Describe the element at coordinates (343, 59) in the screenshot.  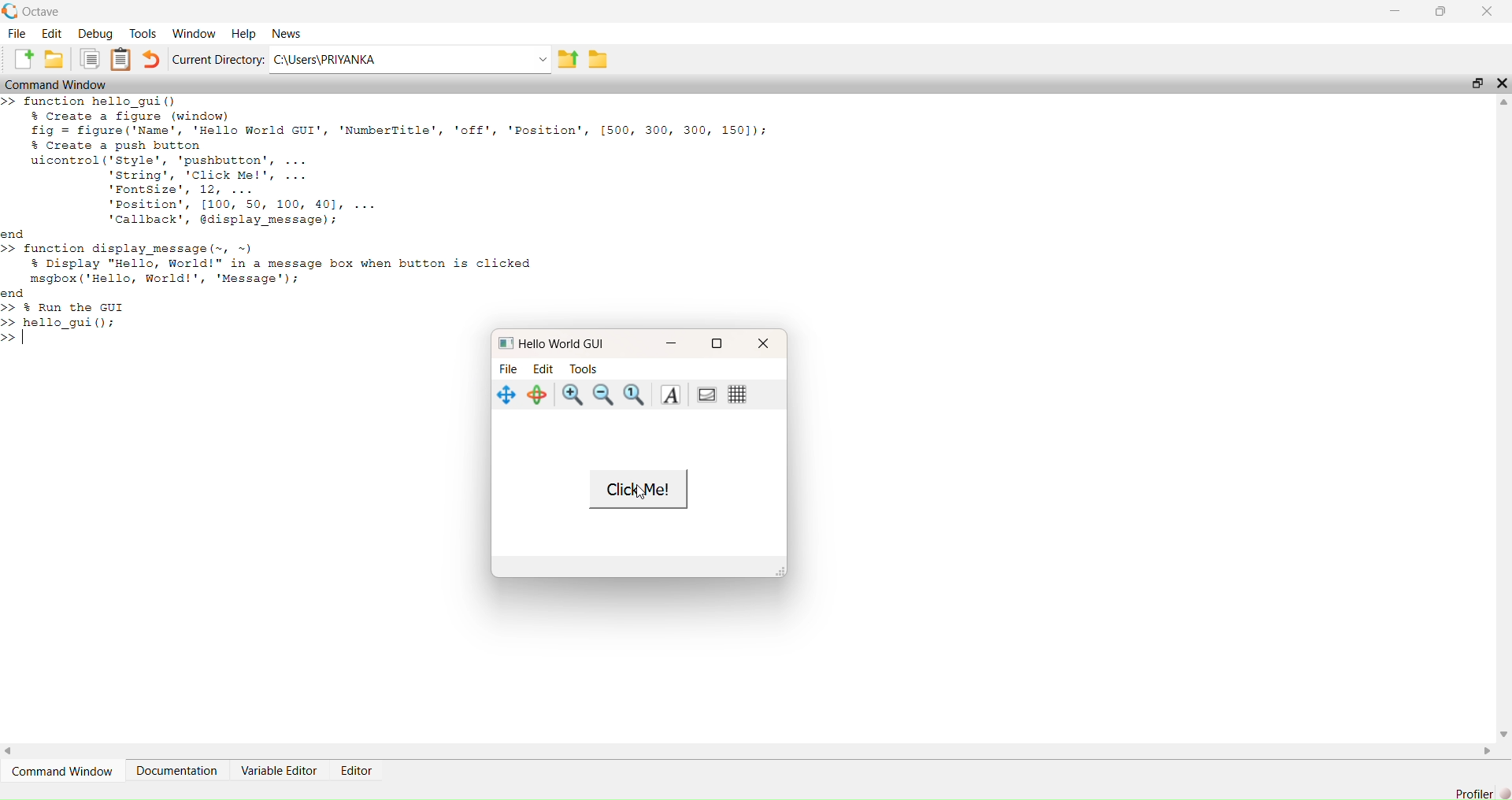
I see `C:\Users\PRIYANKA` at that location.